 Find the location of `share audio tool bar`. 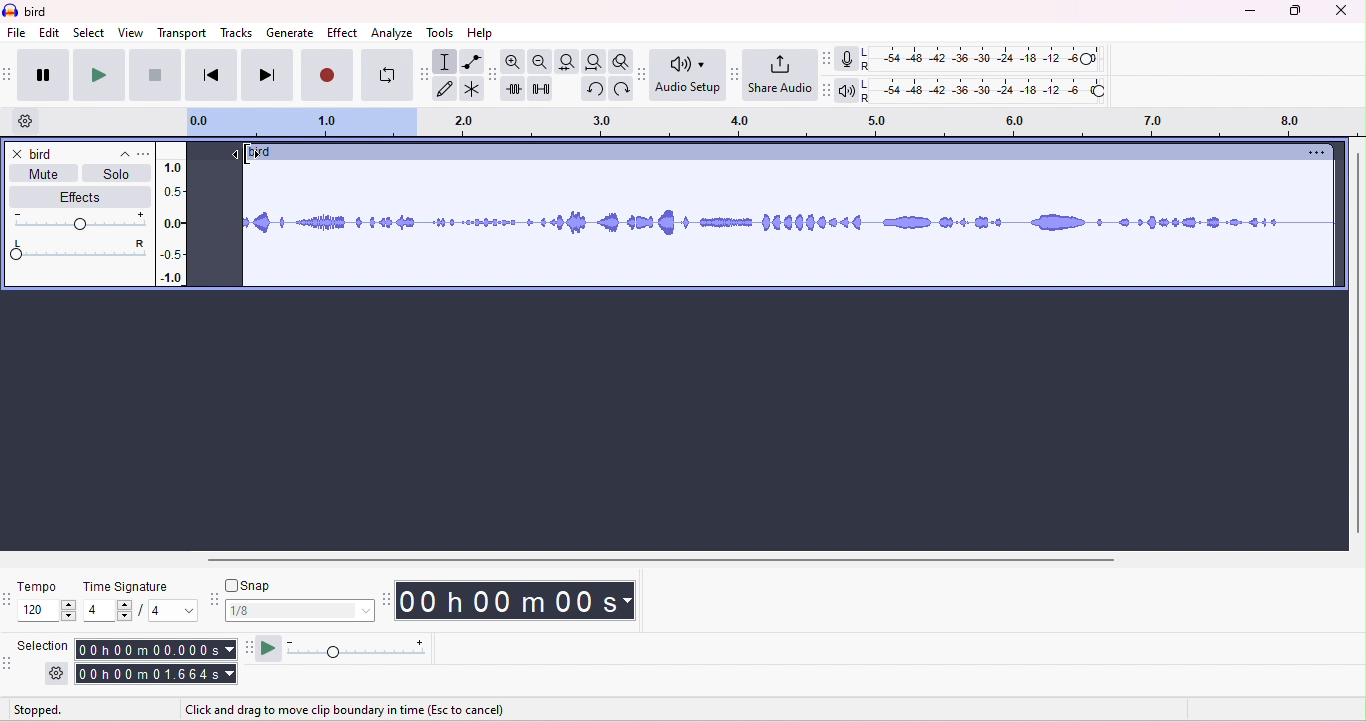

share audio tool bar is located at coordinates (734, 73).